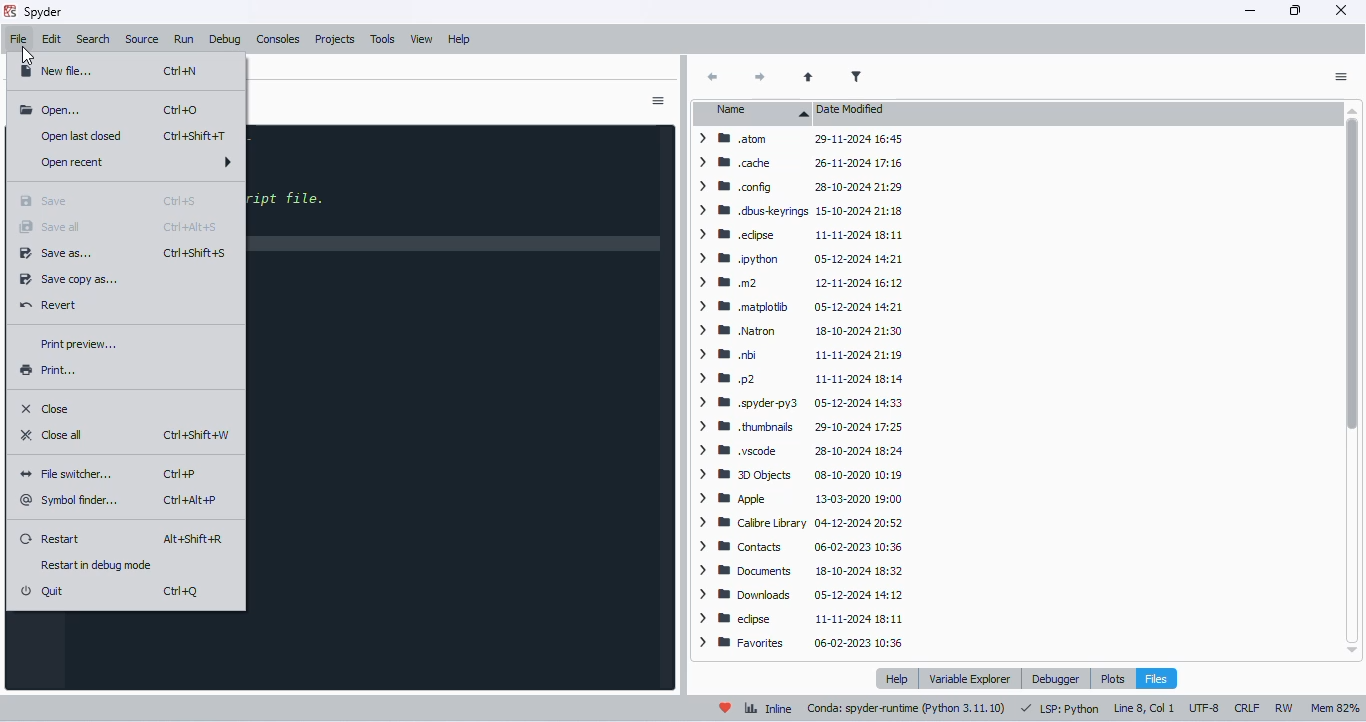  What do you see at coordinates (906, 710) in the screenshot?
I see `conda: spyder-runtime (python 3. 11. 10)` at bounding box center [906, 710].